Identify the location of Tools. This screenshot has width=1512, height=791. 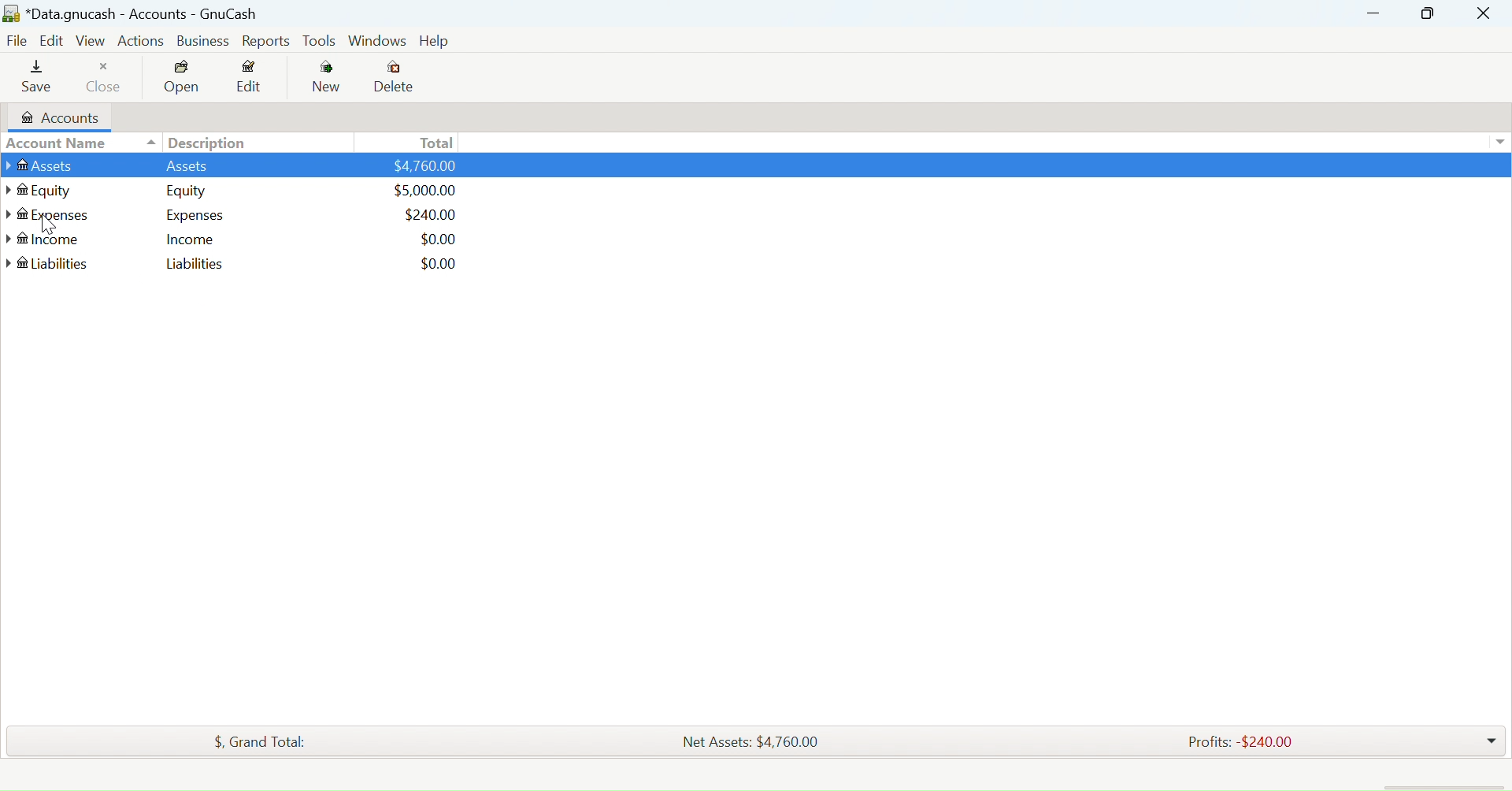
(321, 42).